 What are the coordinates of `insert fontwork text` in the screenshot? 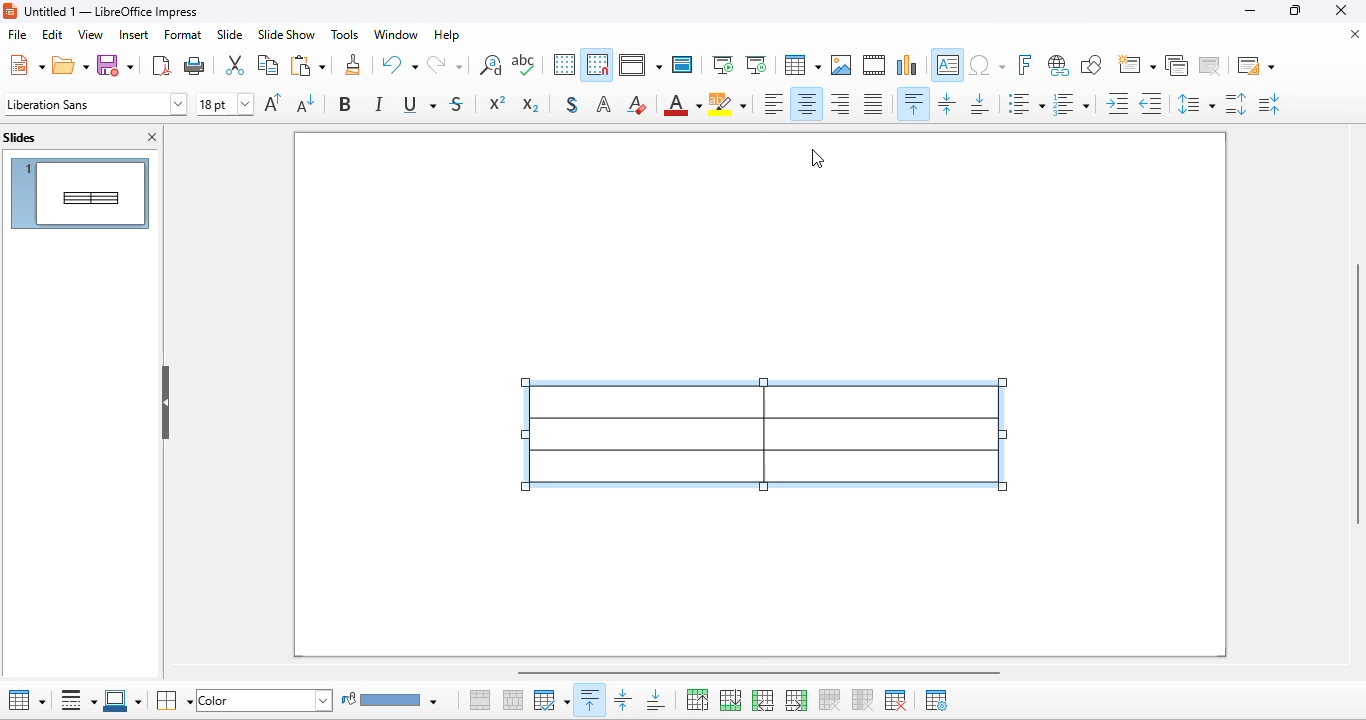 It's located at (1025, 65).